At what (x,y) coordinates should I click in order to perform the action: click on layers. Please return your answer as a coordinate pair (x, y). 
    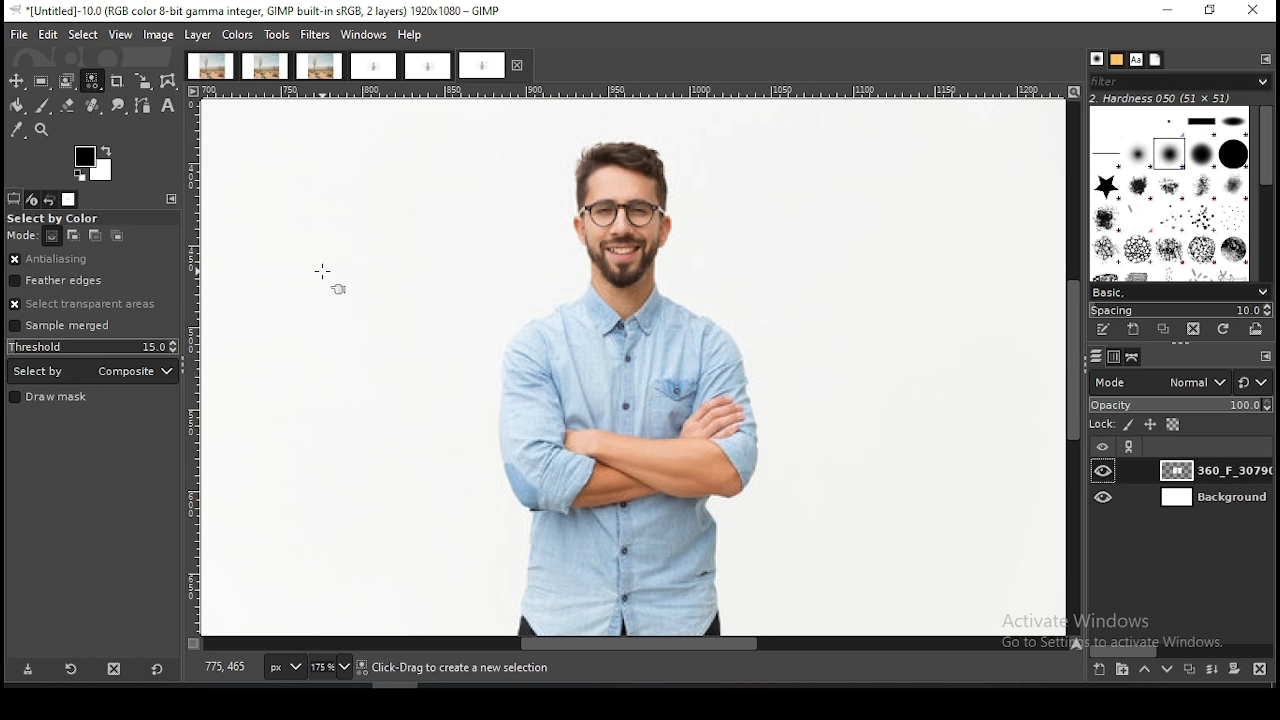
    Looking at the image, I should click on (1096, 357).